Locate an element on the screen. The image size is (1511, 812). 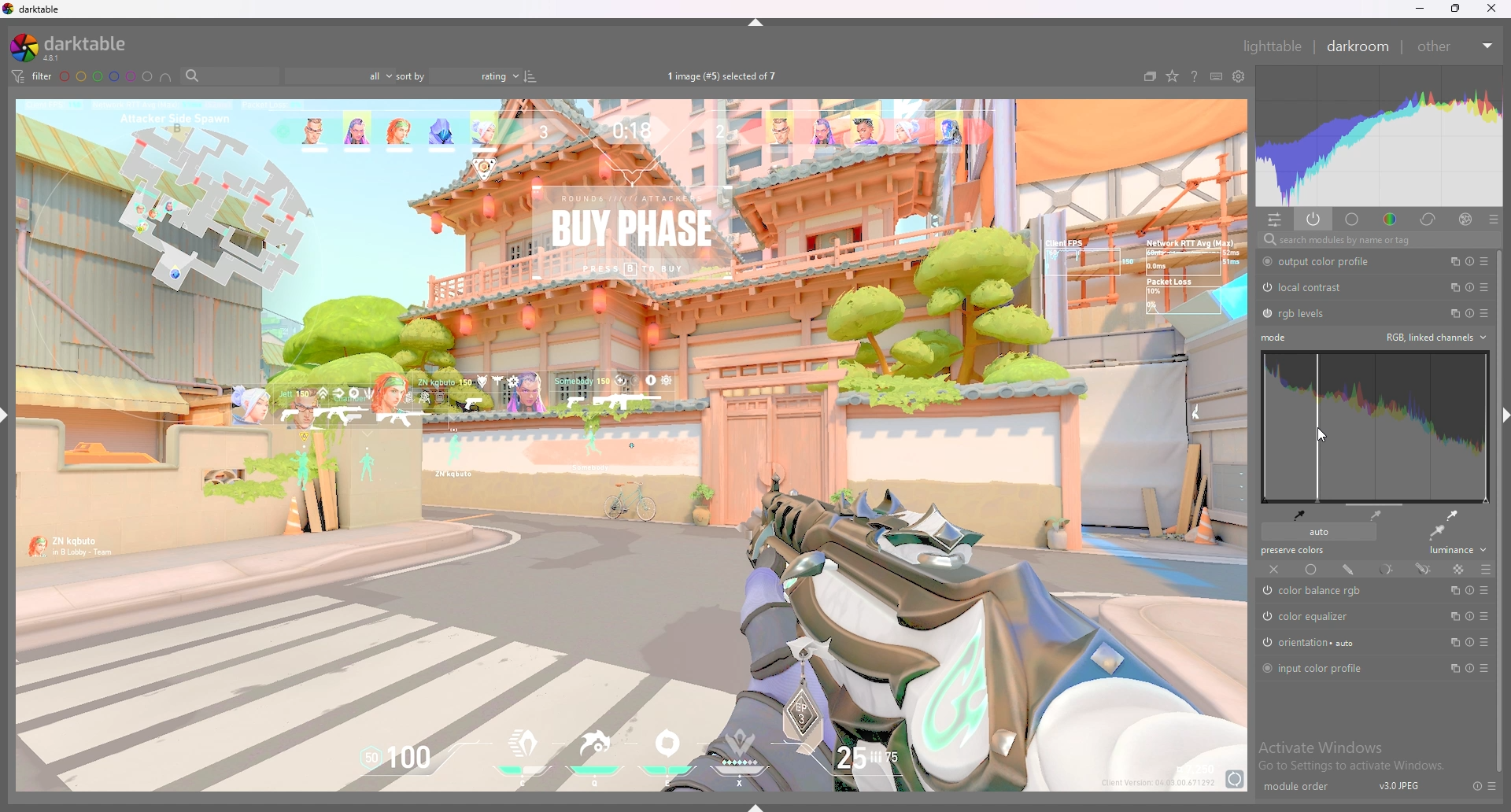
color is located at coordinates (1391, 220).